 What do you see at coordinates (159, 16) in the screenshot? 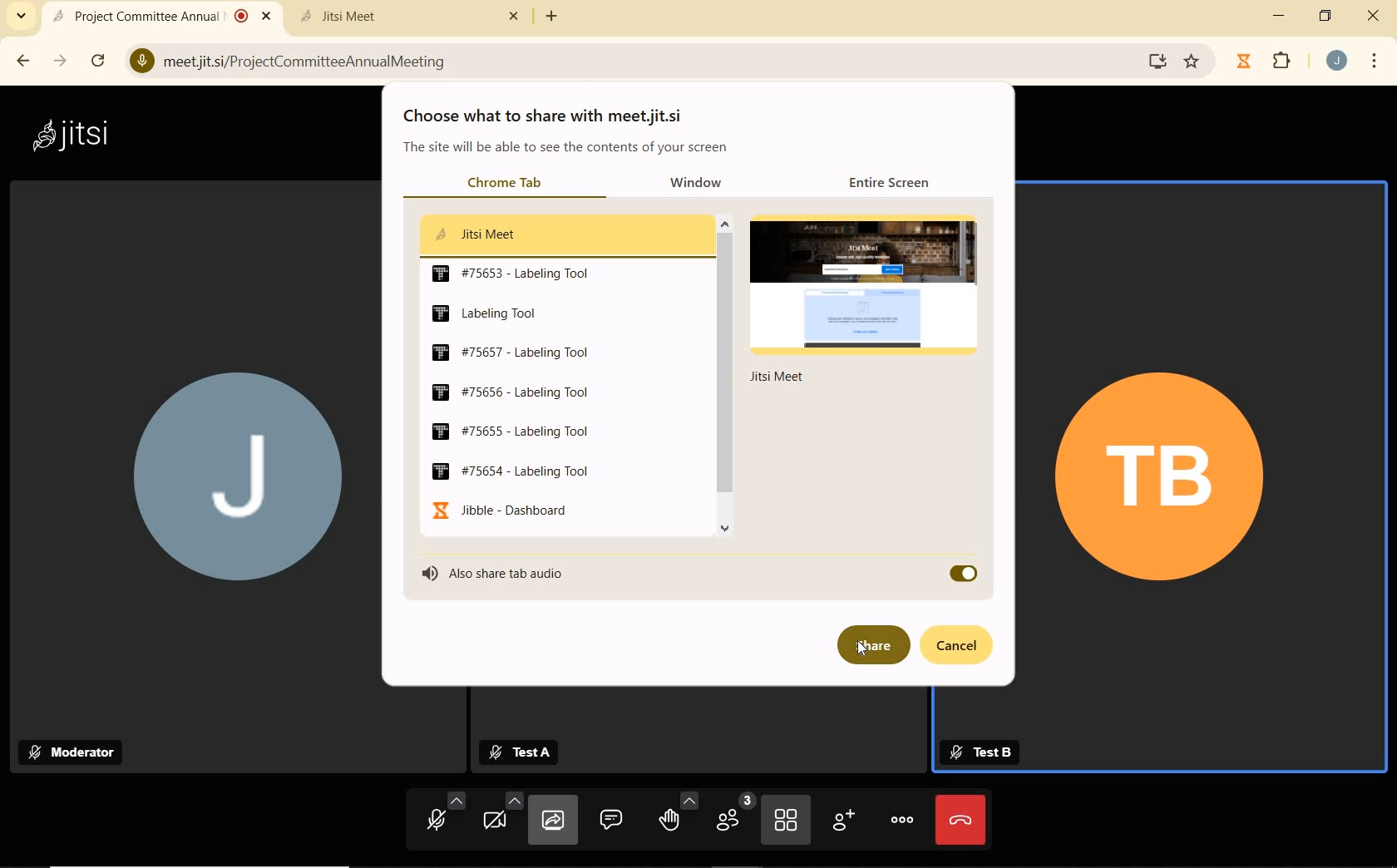
I see `Project Committee Annual` at bounding box center [159, 16].